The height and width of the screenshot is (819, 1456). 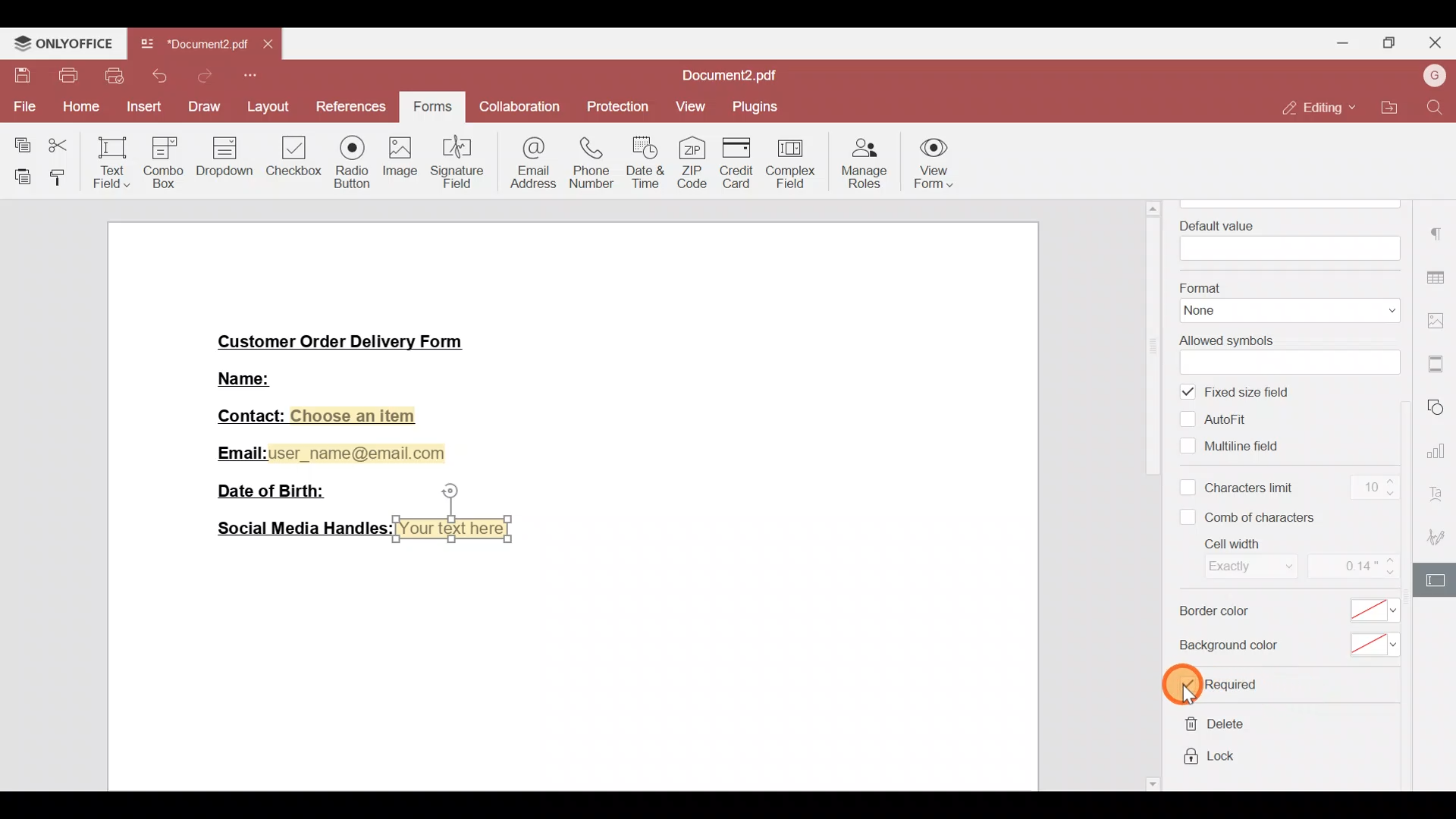 What do you see at coordinates (193, 48) in the screenshot?
I see `Document2.pdf` at bounding box center [193, 48].